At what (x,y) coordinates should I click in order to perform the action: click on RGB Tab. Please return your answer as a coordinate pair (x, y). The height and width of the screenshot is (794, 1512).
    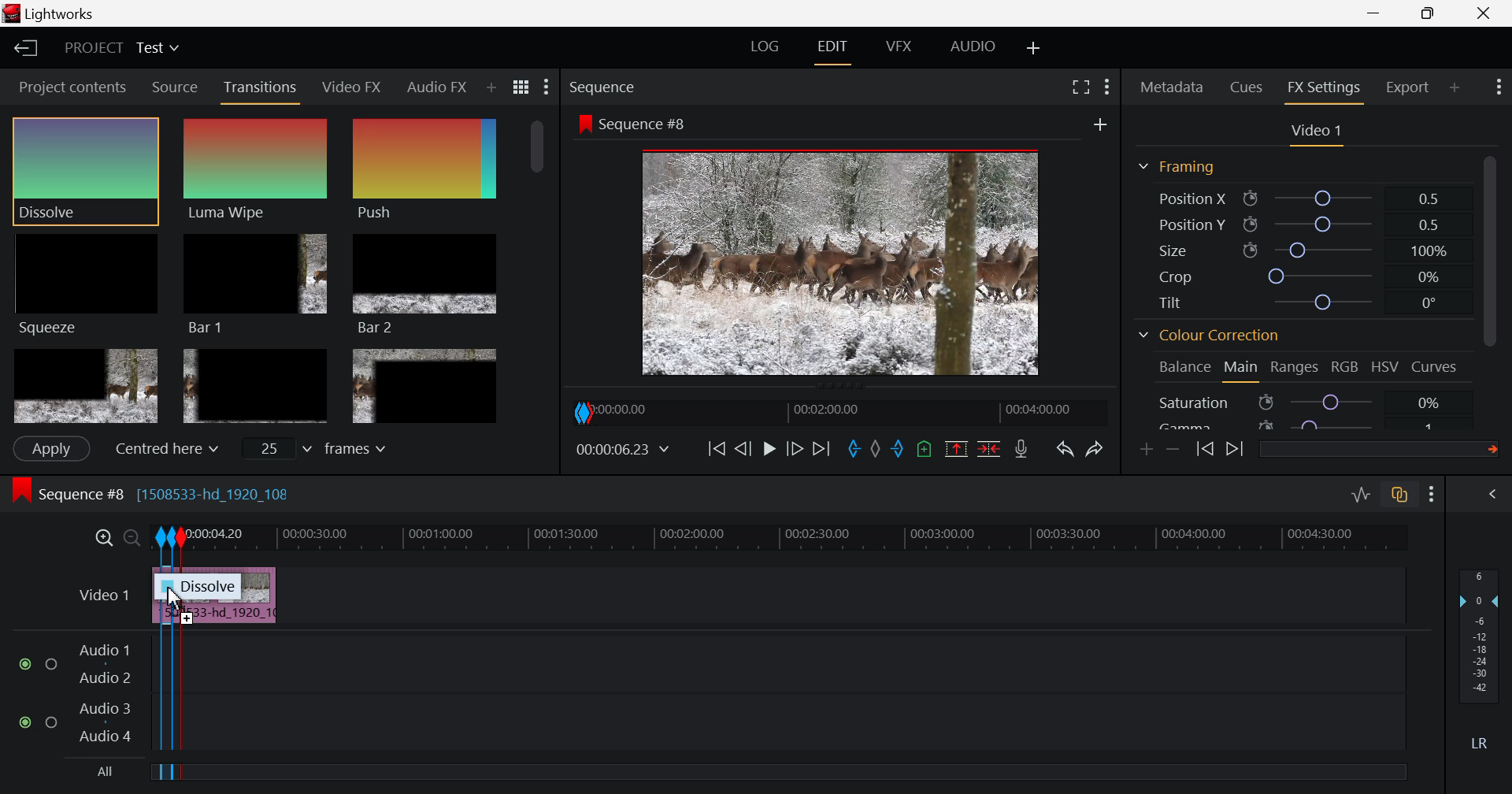
    Looking at the image, I should click on (1347, 369).